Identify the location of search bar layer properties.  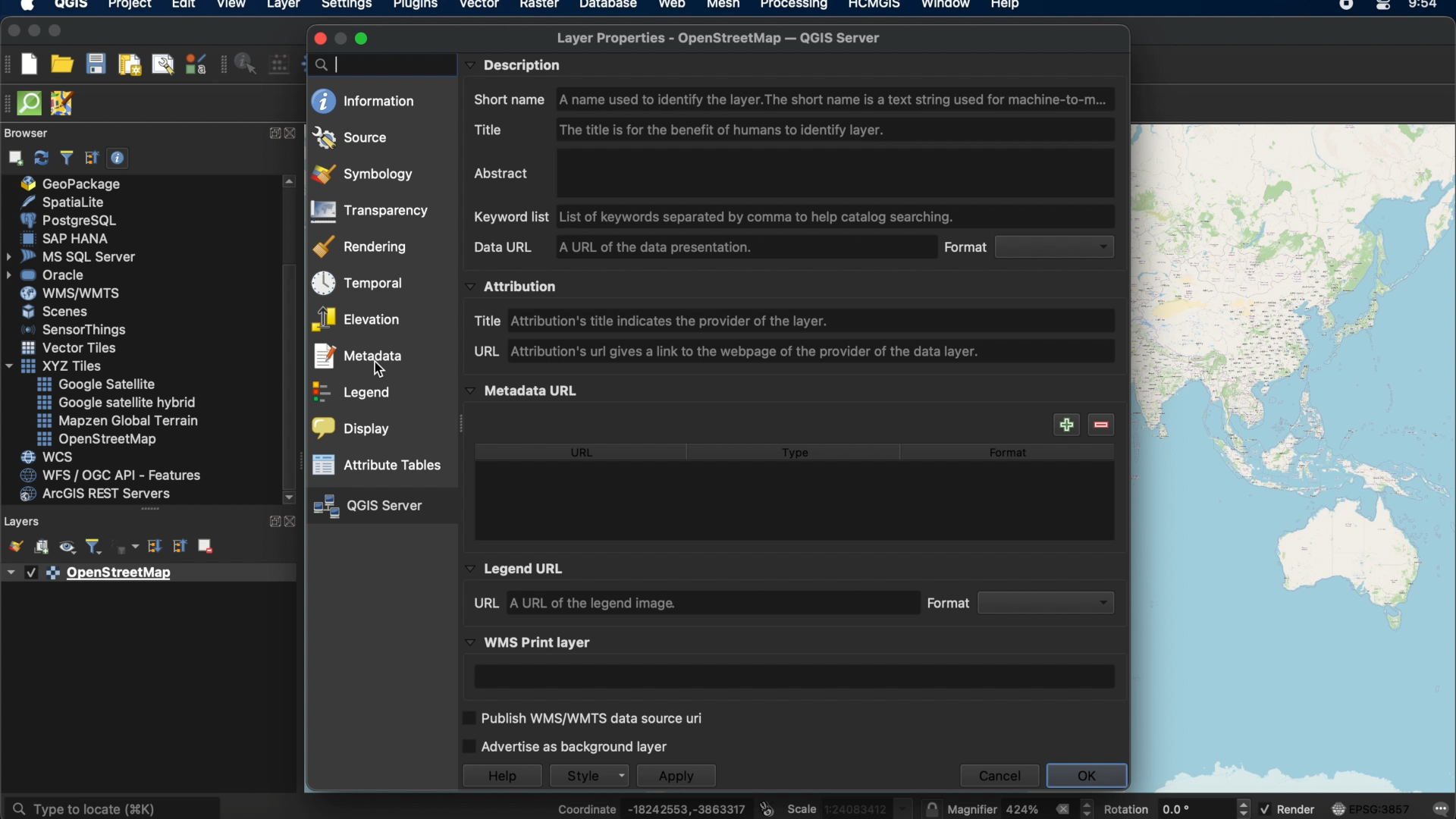
(377, 64).